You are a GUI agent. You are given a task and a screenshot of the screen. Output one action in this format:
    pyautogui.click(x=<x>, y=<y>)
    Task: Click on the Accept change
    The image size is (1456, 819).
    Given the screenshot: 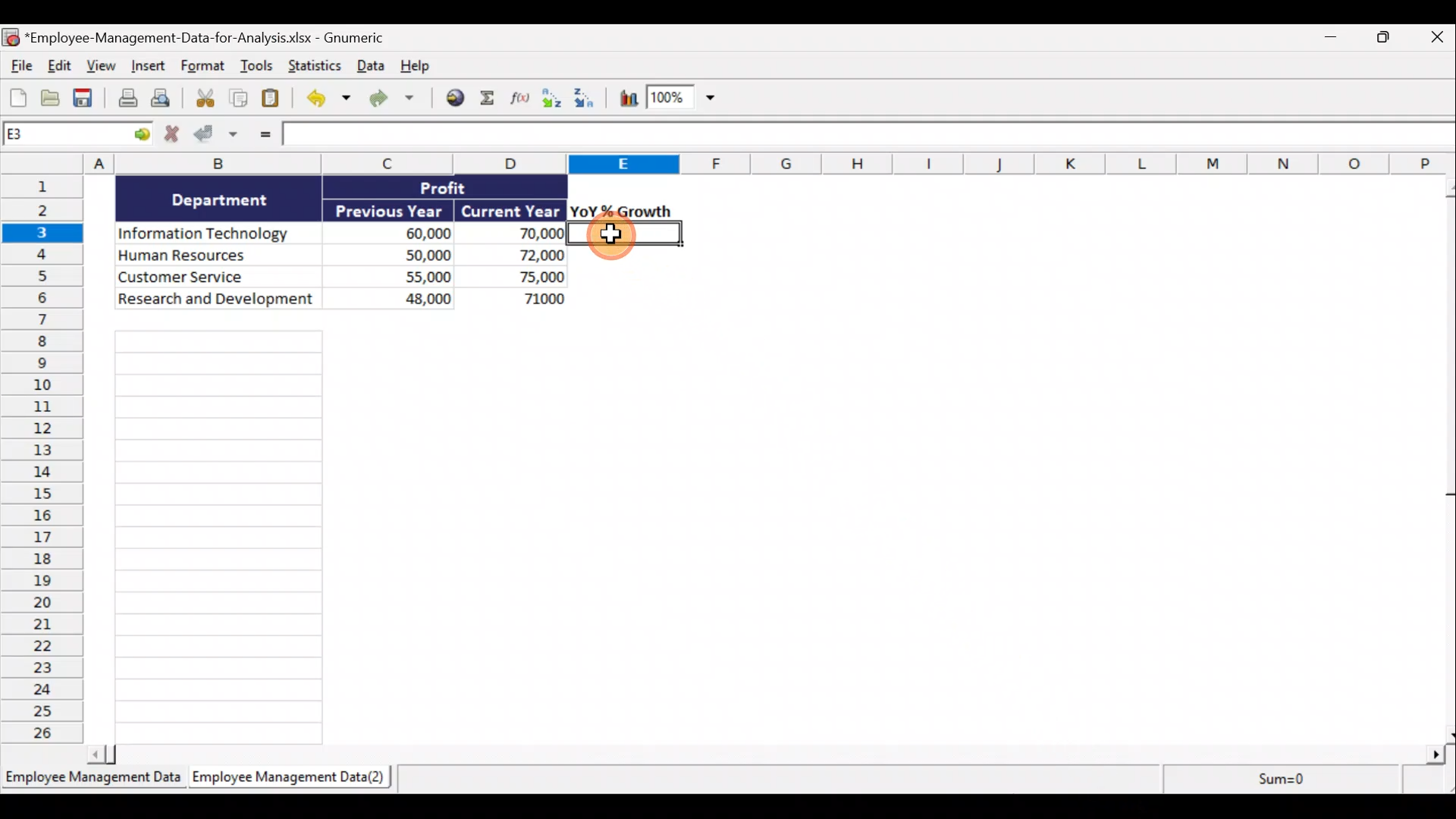 What is the action you would take?
    pyautogui.click(x=221, y=137)
    